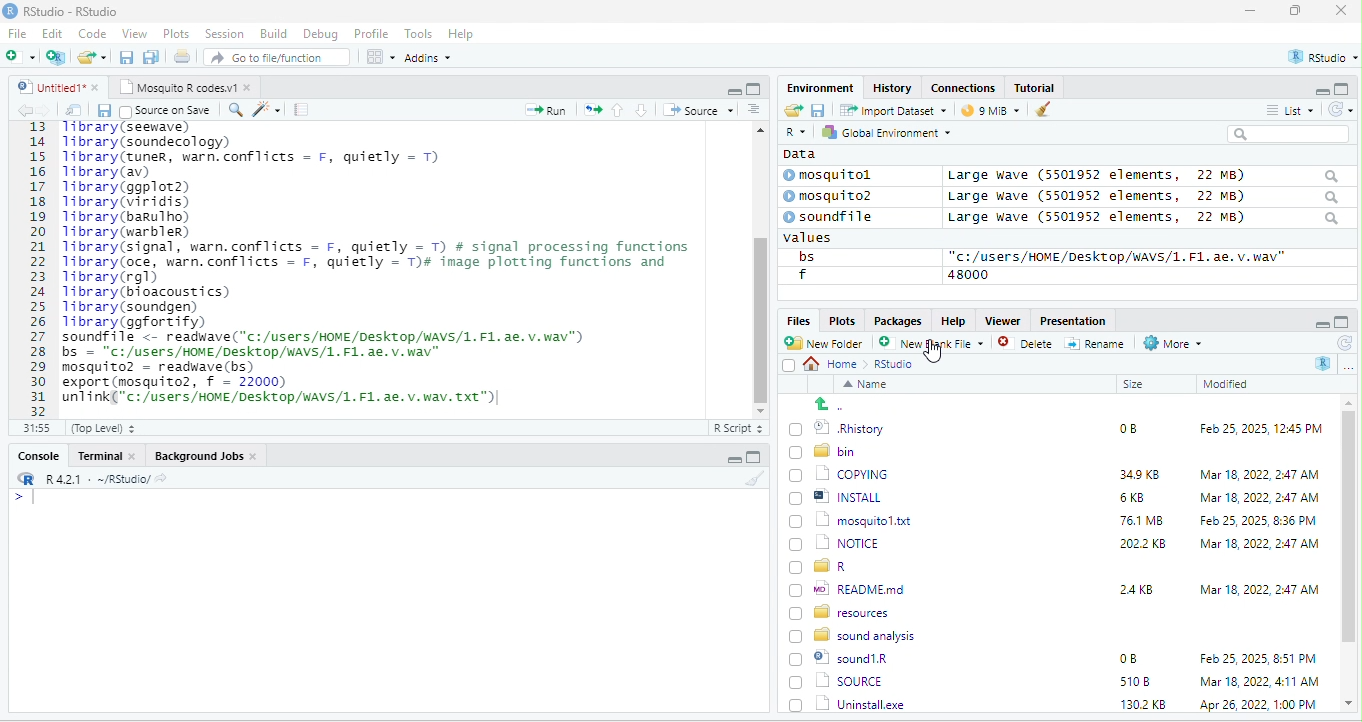 The height and width of the screenshot is (722, 1362). I want to click on Environment, so click(820, 87).